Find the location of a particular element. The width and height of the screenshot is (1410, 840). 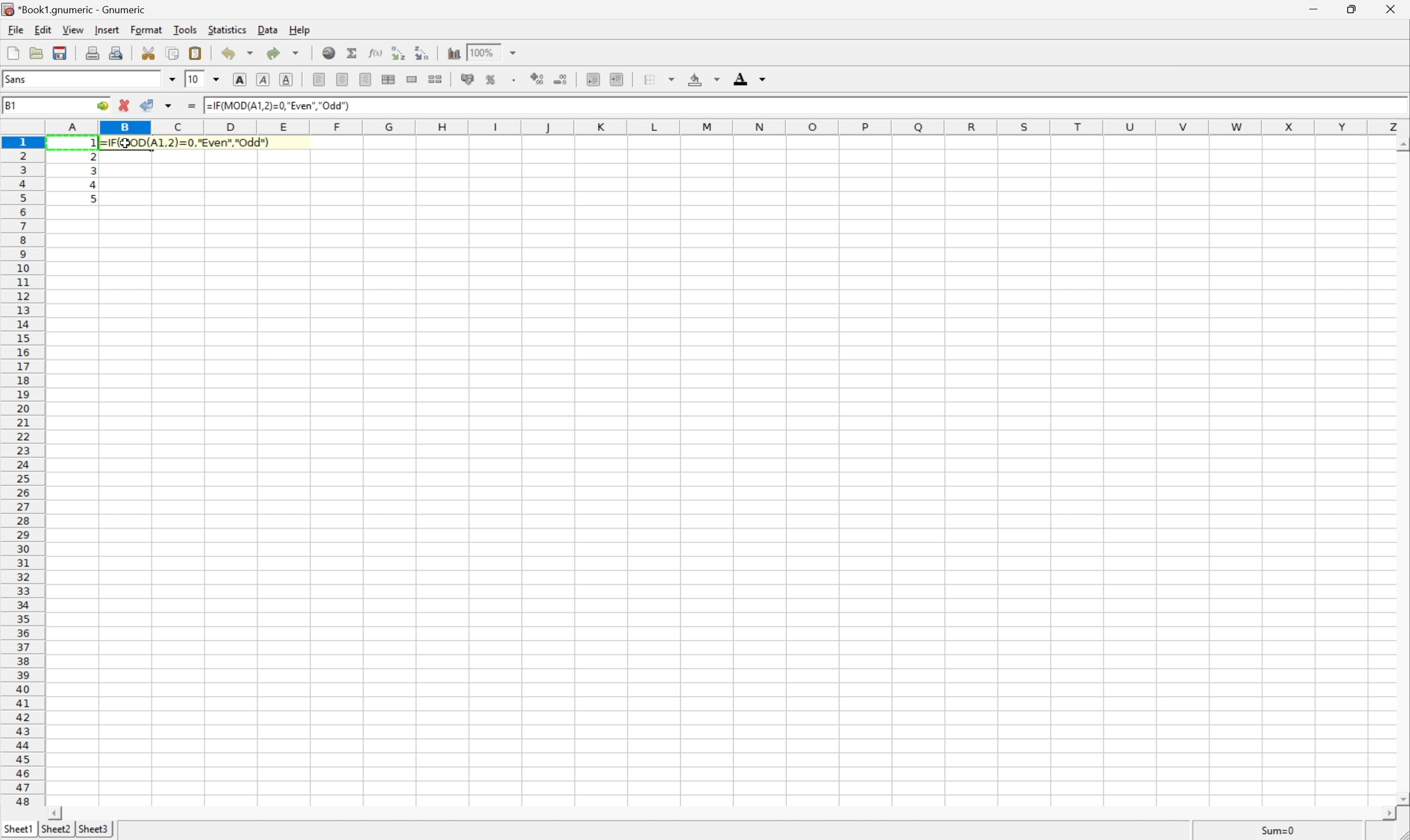

Background is located at coordinates (704, 78).